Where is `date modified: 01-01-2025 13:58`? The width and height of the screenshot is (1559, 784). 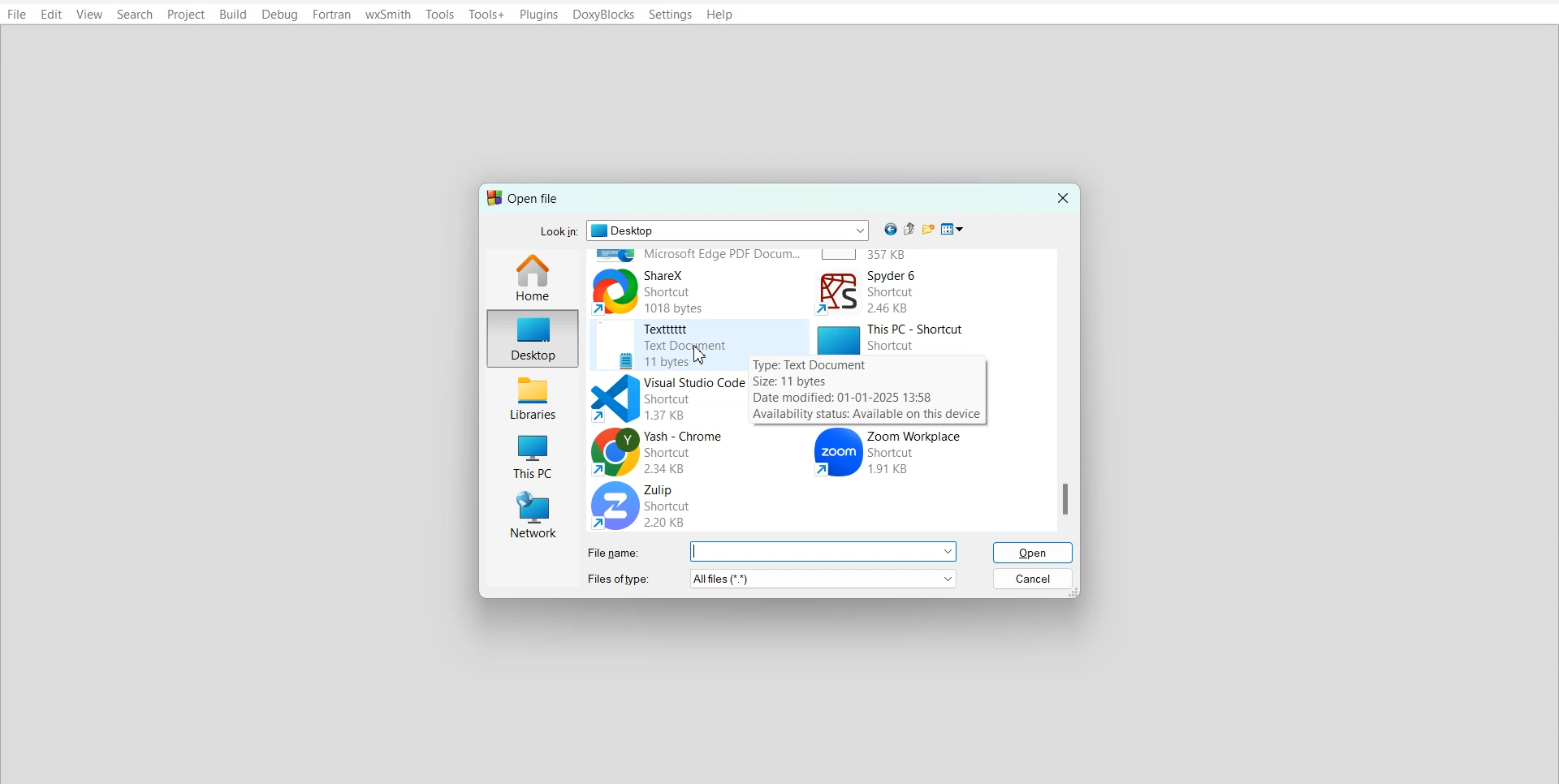
date modified: 01-01-2025 13:58 is located at coordinates (850, 397).